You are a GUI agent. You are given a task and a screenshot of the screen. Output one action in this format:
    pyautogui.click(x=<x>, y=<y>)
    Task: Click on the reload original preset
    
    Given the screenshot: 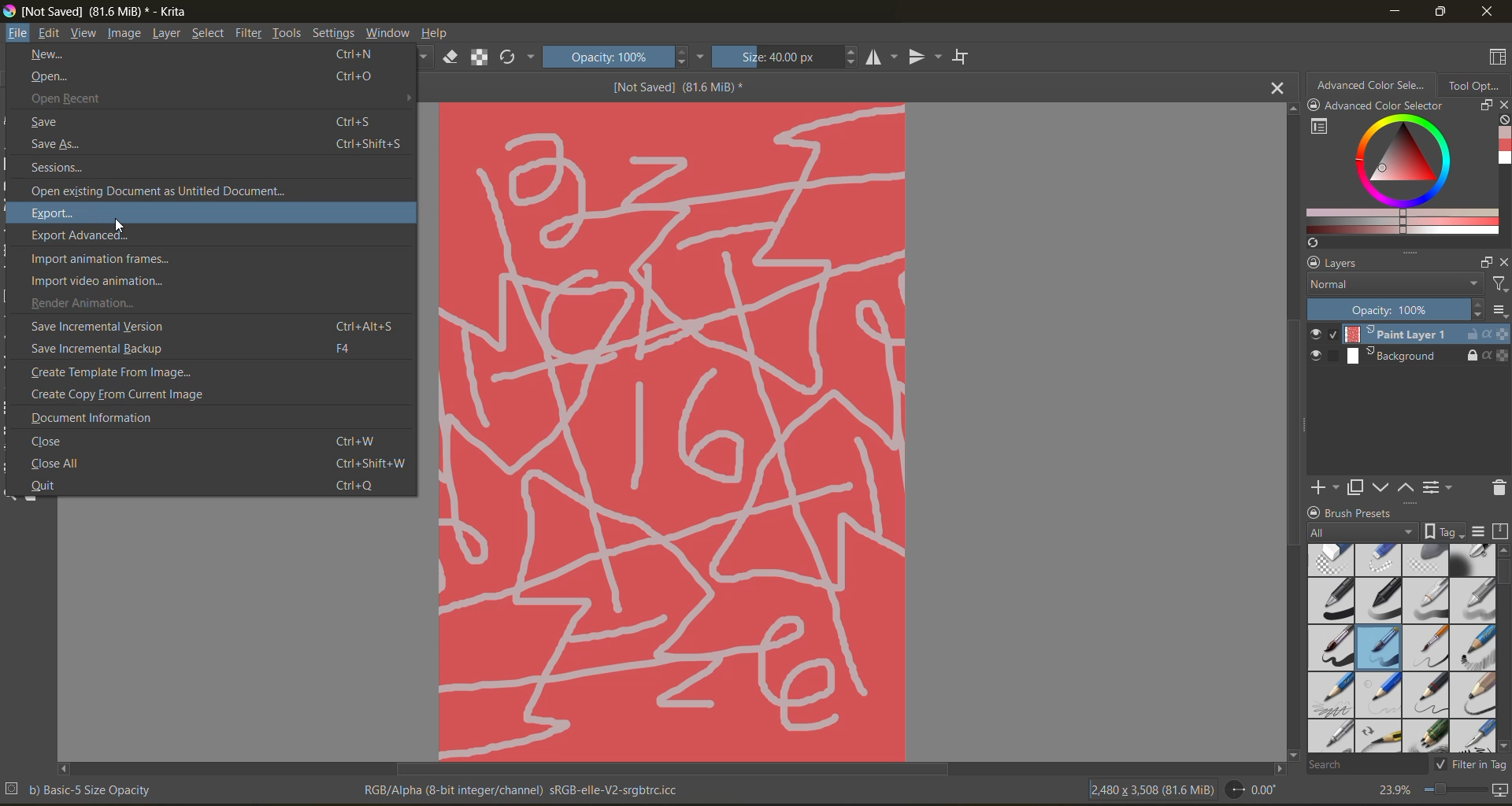 What is the action you would take?
    pyautogui.click(x=514, y=57)
    